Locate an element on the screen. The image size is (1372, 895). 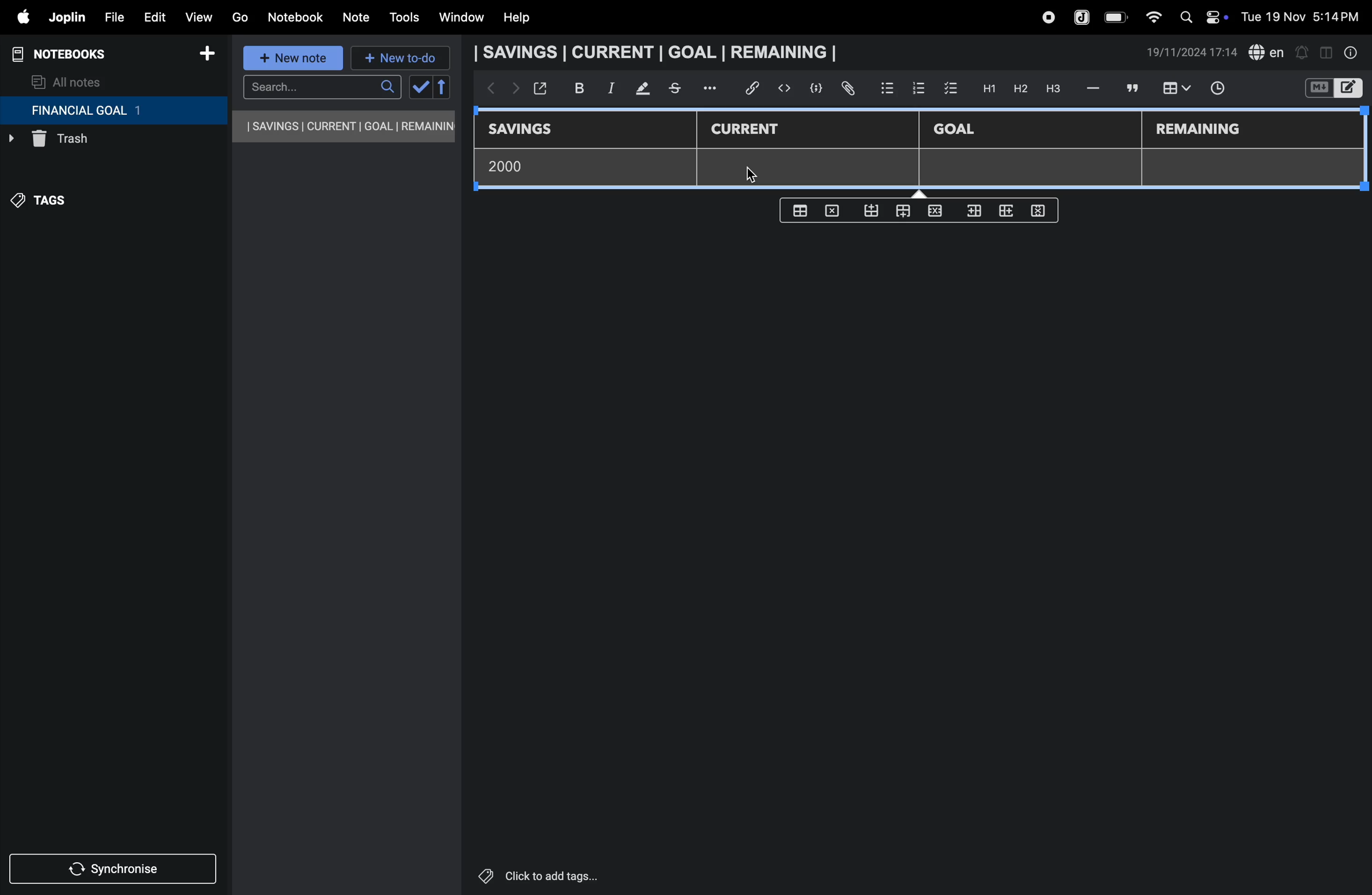
savings current goal remaining is located at coordinates (345, 126).